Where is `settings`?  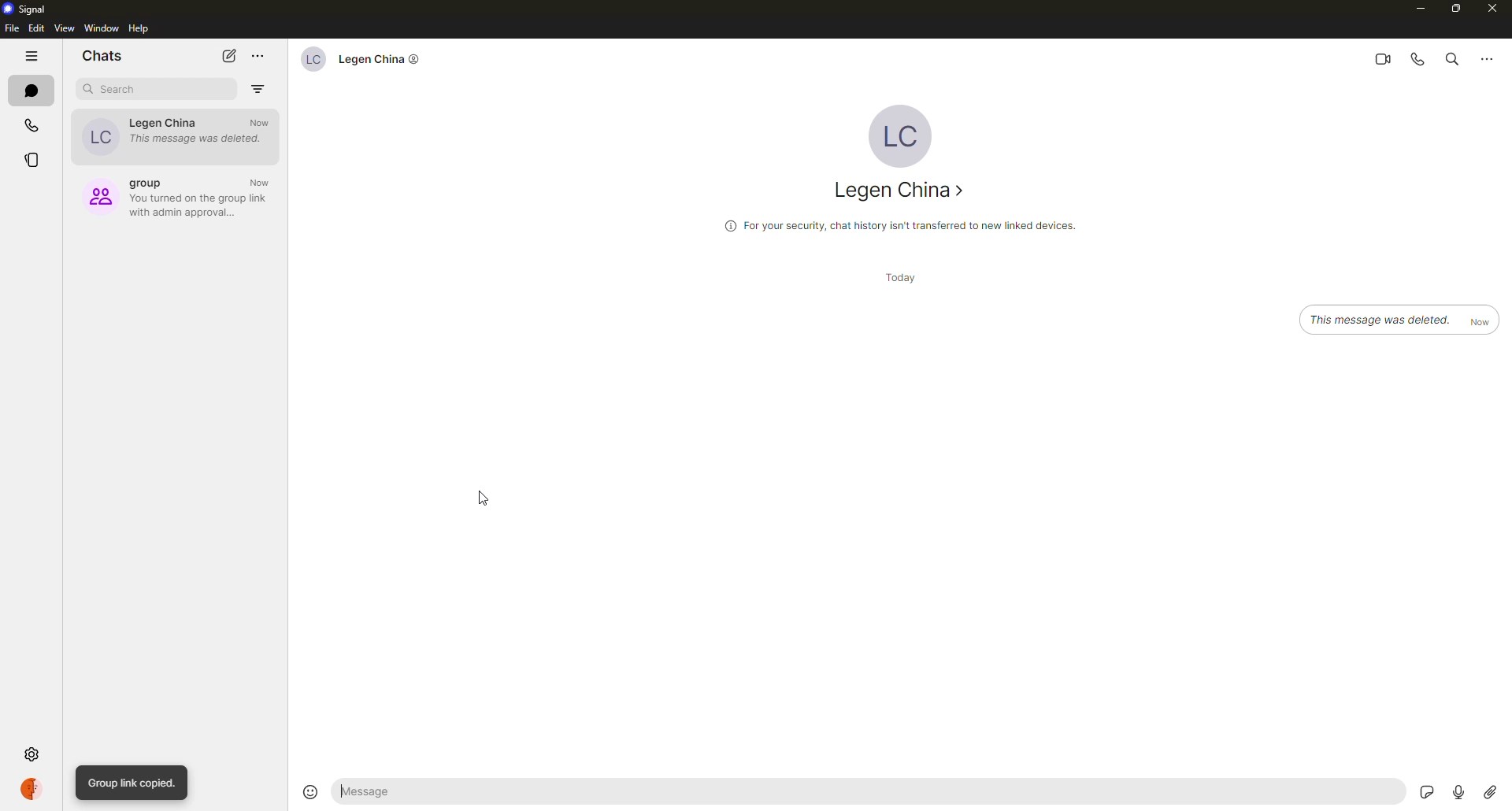 settings is located at coordinates (33, 754).